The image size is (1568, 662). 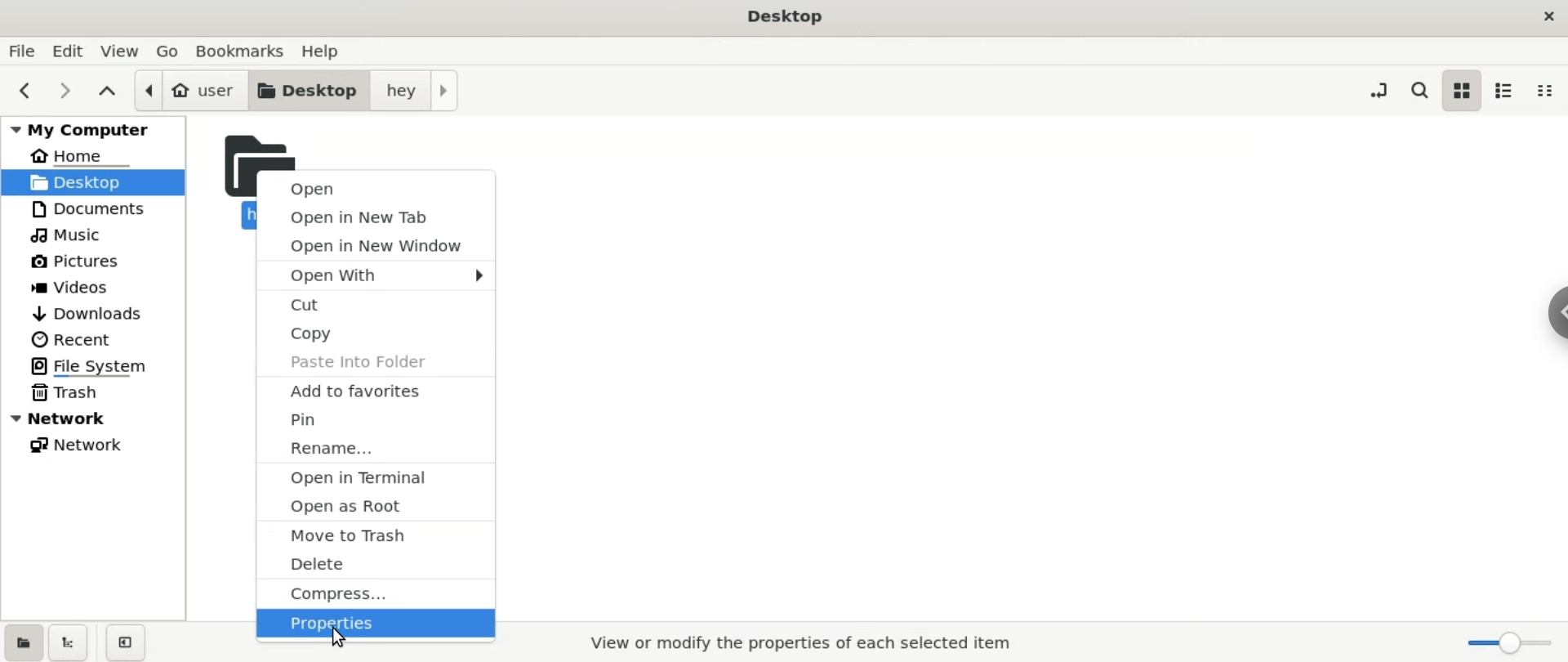 What do you see at coordinates (110, 93) in the screenshot?
I see `parent folders` at bounding box center [110, 93].